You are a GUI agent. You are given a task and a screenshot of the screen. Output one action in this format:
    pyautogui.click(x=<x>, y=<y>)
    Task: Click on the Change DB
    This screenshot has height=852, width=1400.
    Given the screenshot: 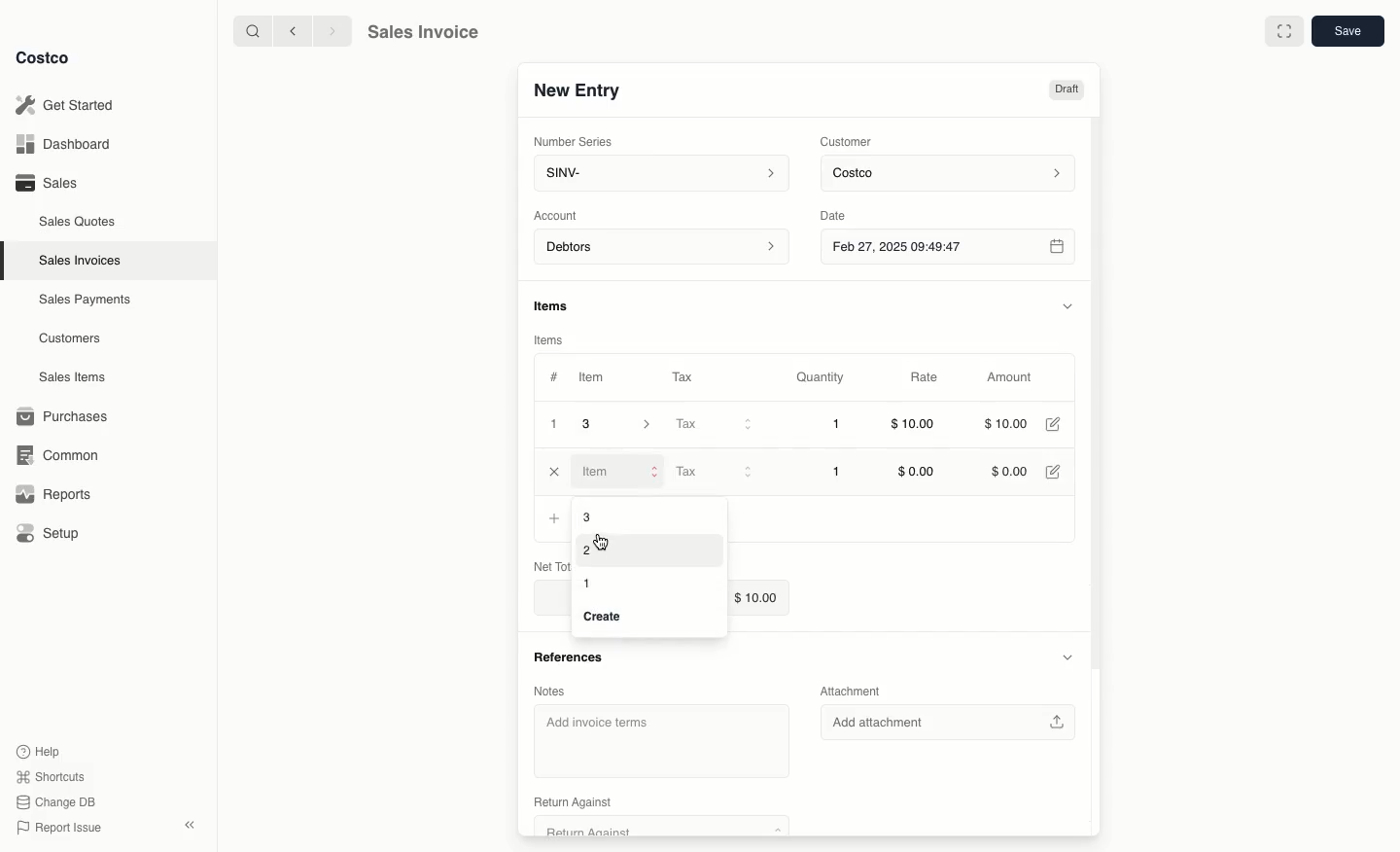 What is the action you would take?
    pyautogui.click(x=58, y=799)
    